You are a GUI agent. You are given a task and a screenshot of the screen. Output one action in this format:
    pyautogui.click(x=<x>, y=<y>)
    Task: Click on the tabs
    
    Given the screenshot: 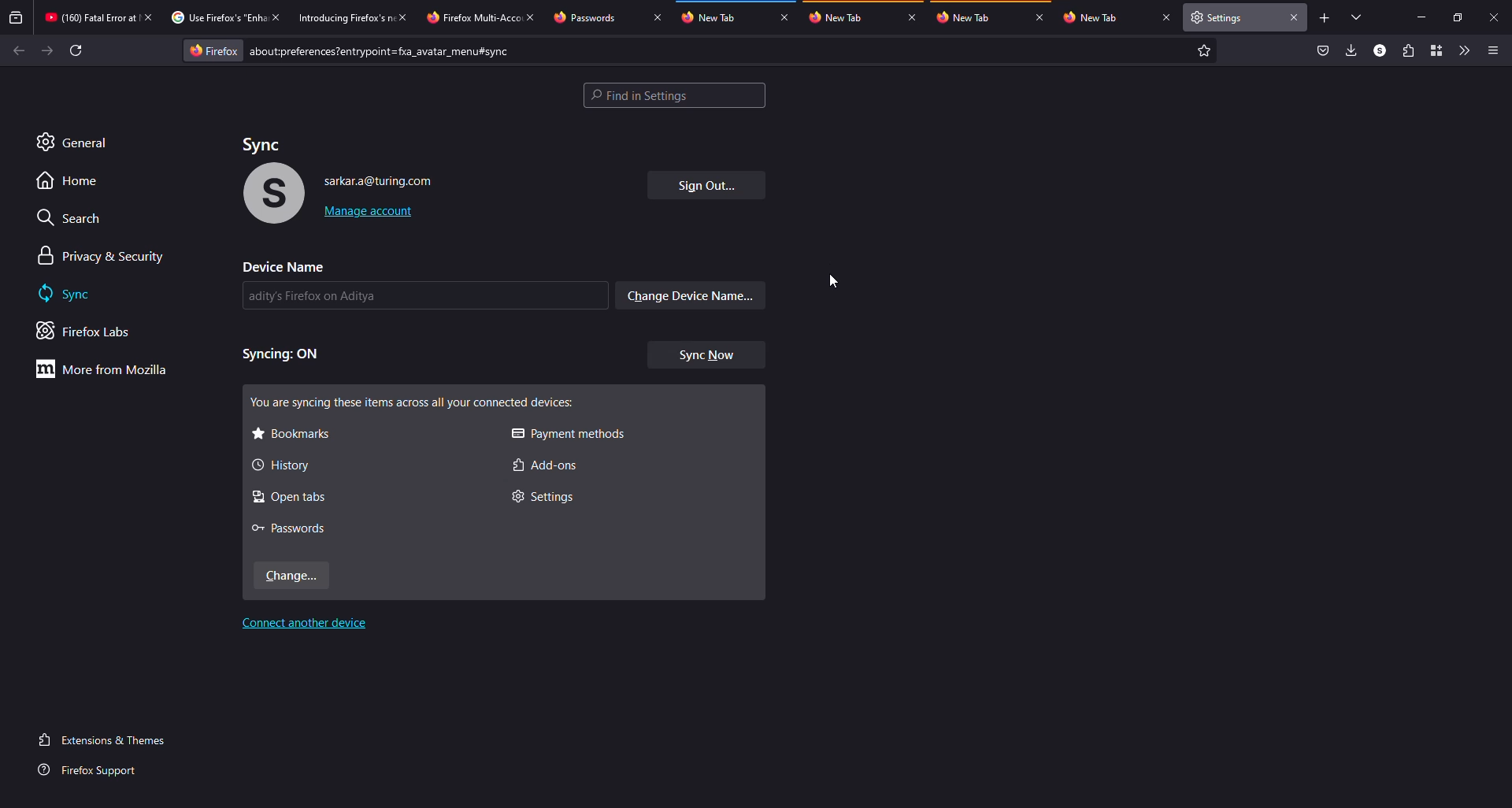 What is the action you would take?
    pyautogui.click(x=1355, y=17)
    